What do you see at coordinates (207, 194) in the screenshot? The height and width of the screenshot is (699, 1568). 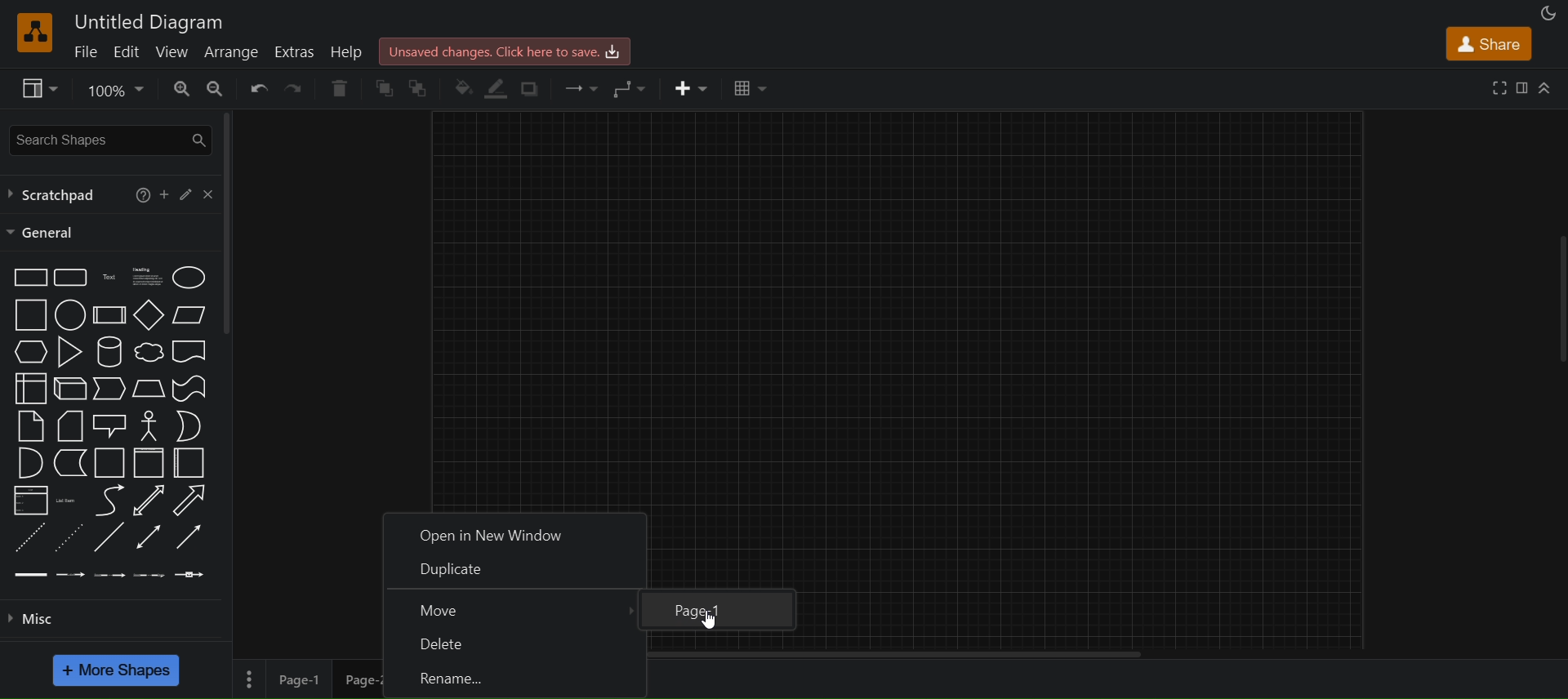 I see `close` at bounding box center [207, 194].